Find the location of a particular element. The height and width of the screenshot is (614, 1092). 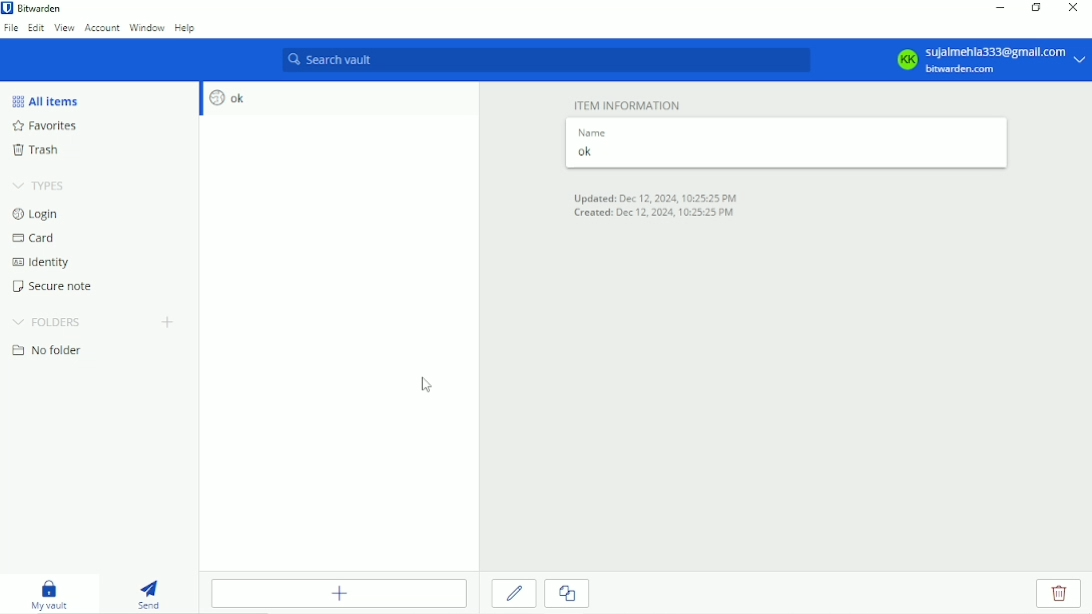

Send is located at coordinates (150, 592).